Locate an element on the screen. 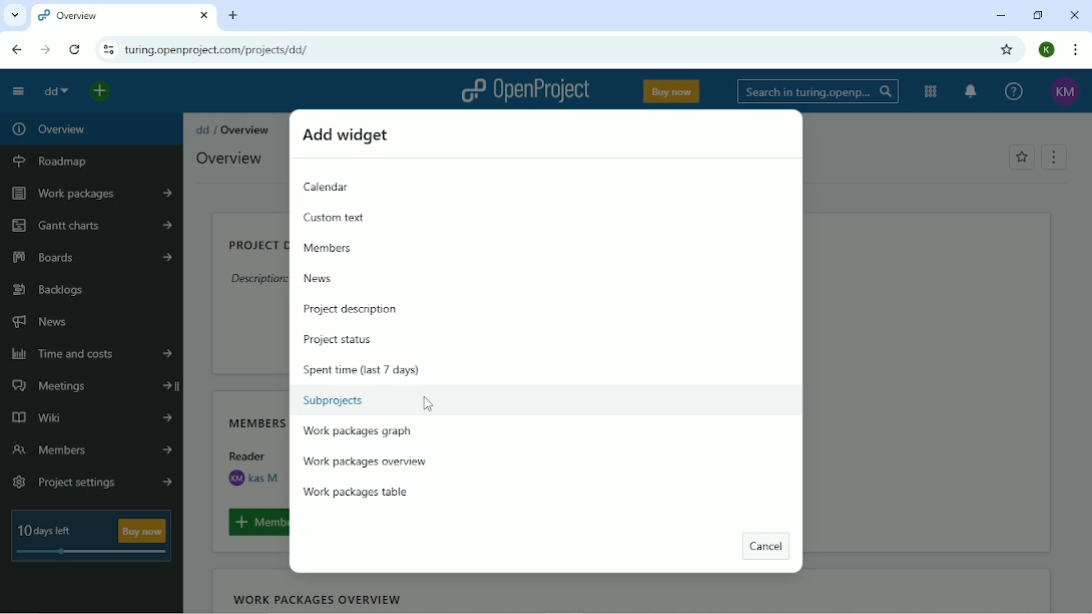 The height and width of the screenshot is (614, 1092). Current tab is located at coordinates (124, 16).